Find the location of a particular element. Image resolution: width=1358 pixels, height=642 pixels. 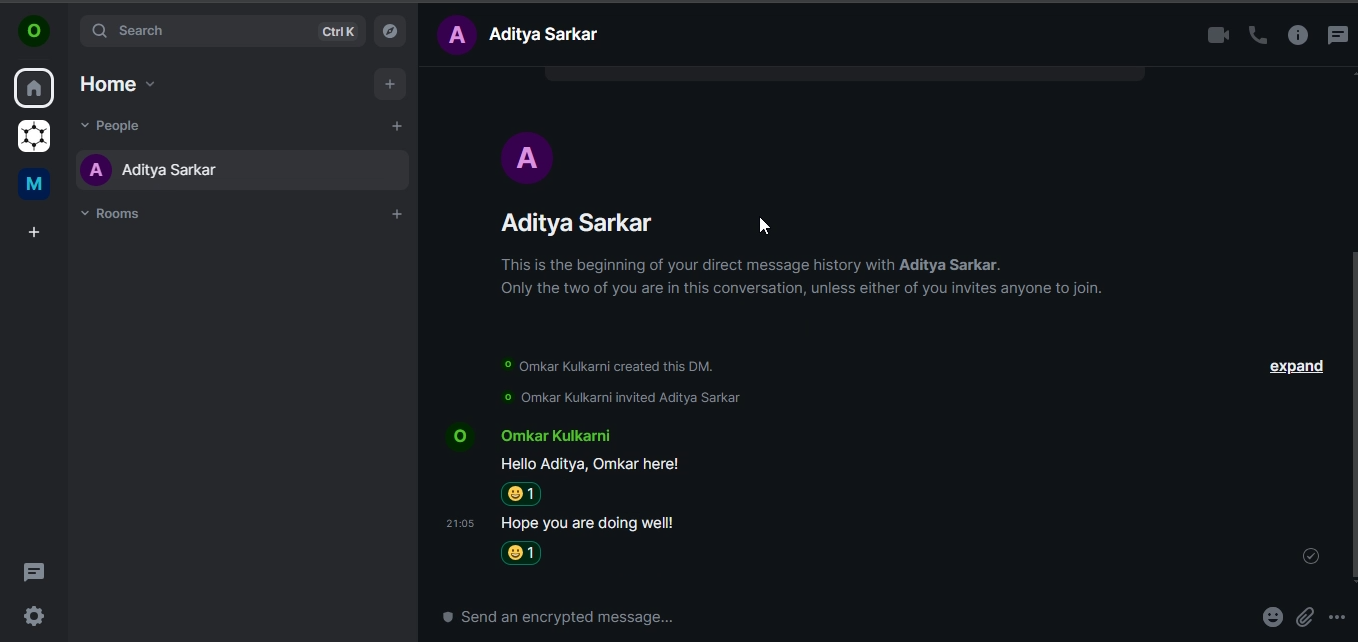

home is located at coordinates (35, 90).